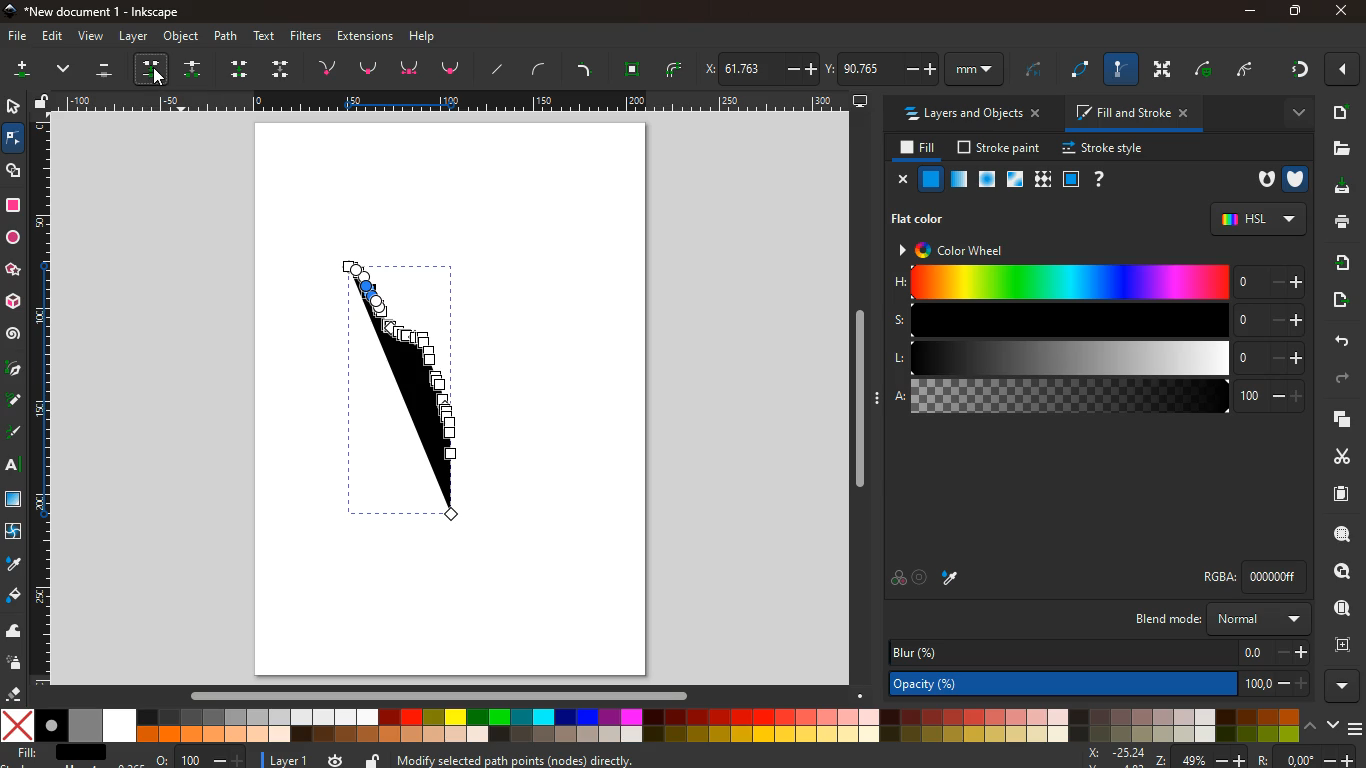 This screenshot has height=768, width=1366. I want to click on down, so click(282, 68).